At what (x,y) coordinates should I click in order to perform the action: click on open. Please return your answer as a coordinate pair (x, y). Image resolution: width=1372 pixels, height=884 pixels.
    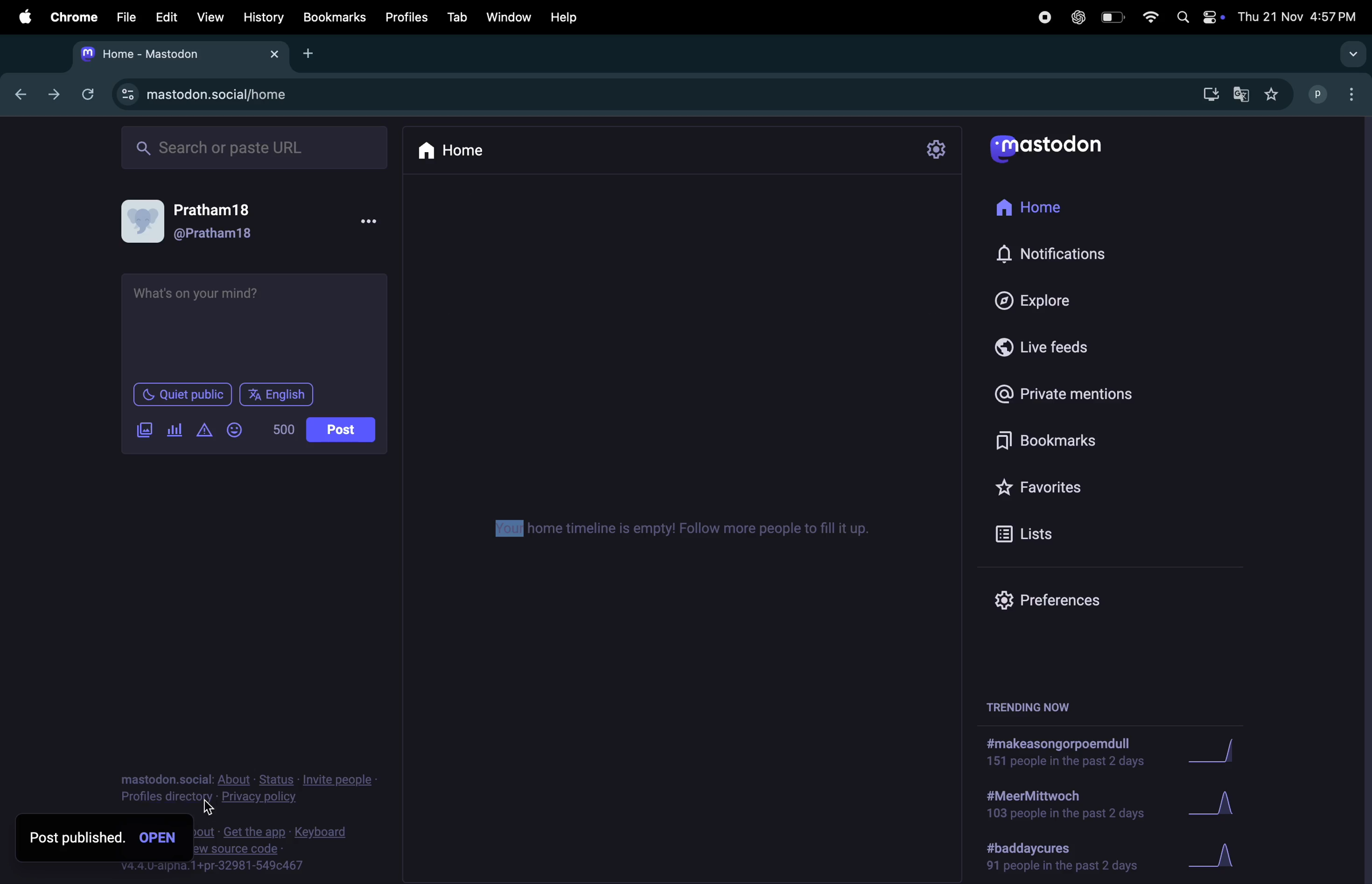
    Looking at the image, I should click on (162, 839).